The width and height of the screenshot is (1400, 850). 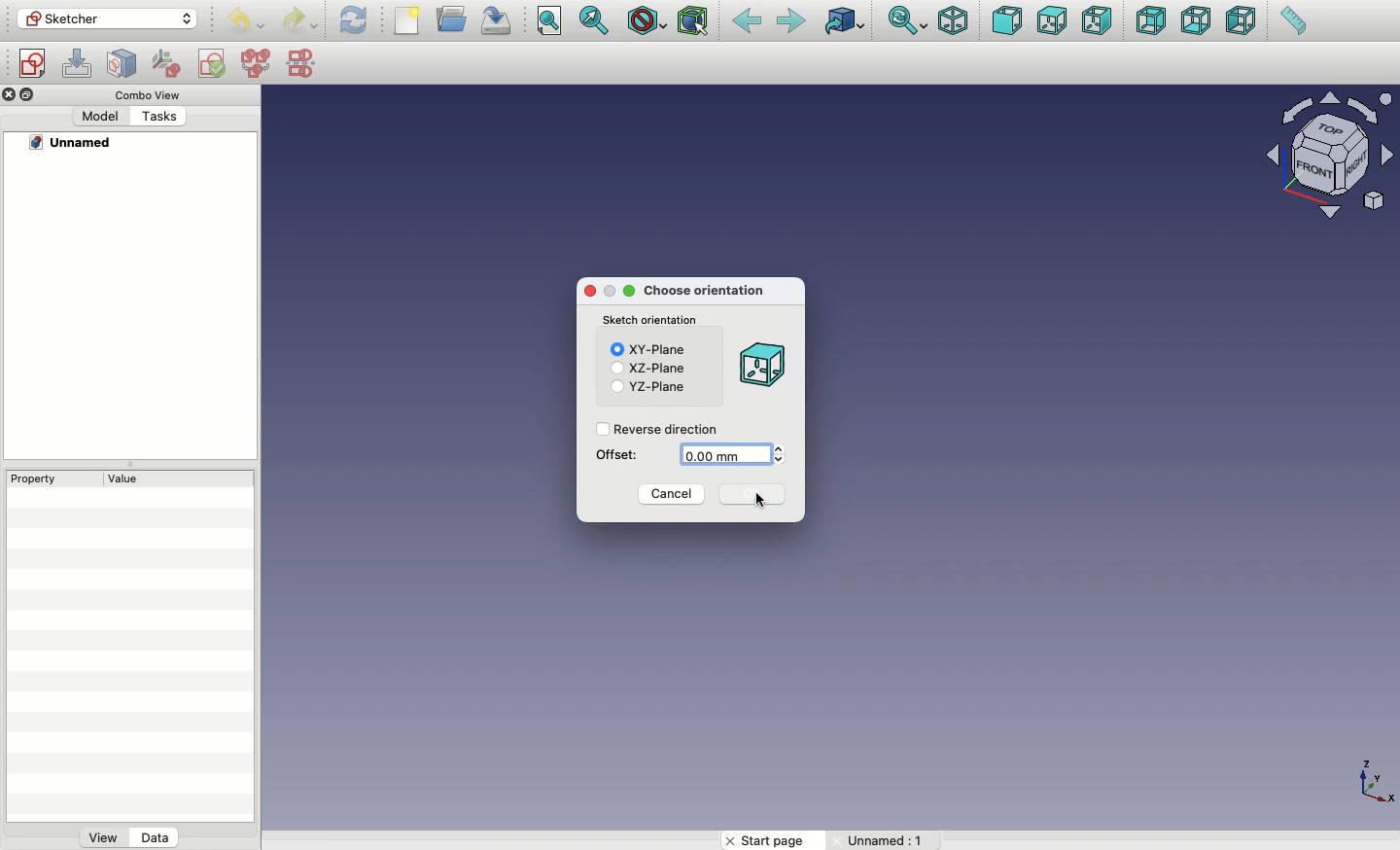 What do you see at coordinates (791, 22) in the screenshot?
I see `Forward` at bounding box center [791, 22].